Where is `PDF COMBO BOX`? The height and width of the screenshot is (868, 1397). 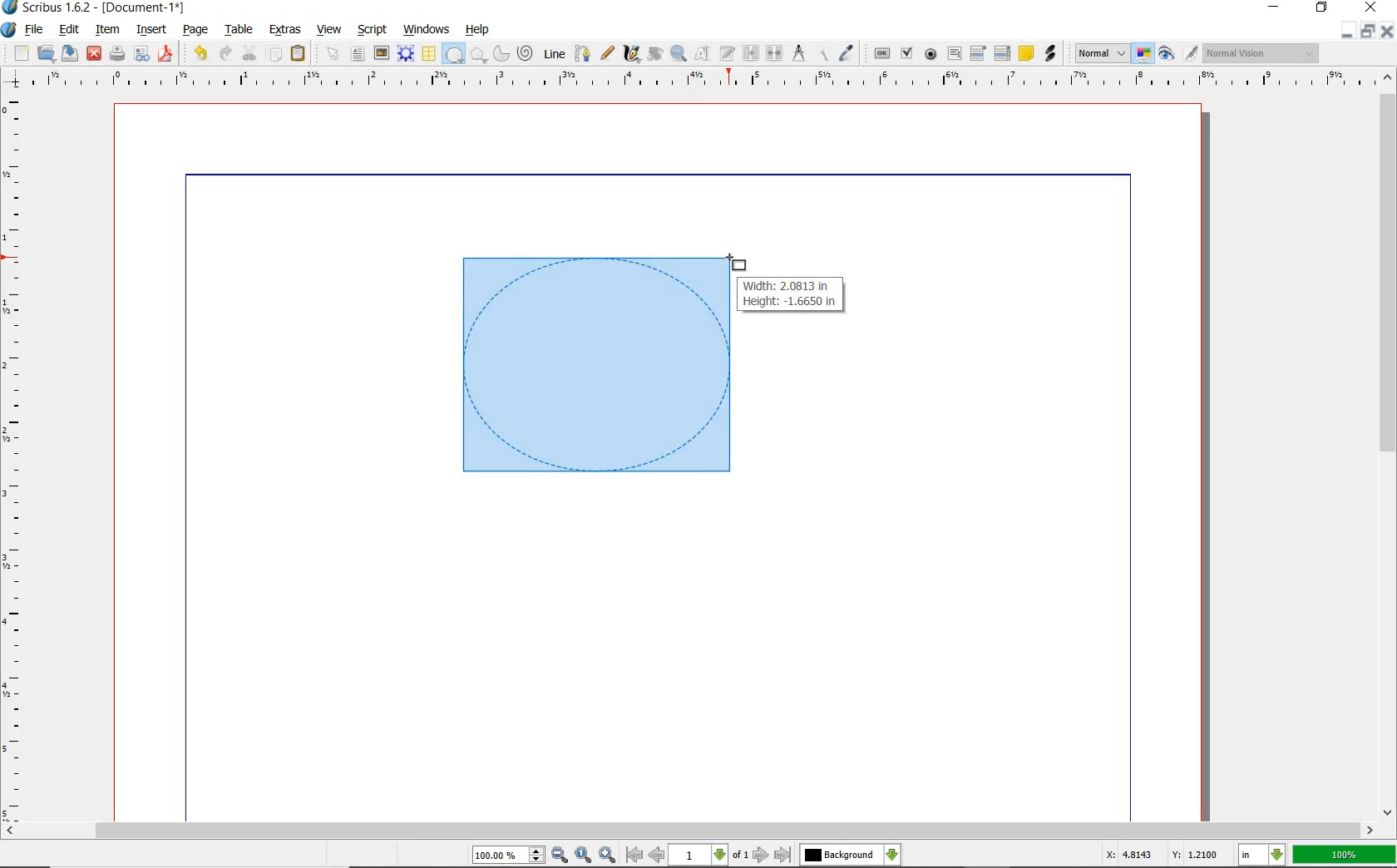 PDF COMBO BOX is located at coordinates (977, 52).